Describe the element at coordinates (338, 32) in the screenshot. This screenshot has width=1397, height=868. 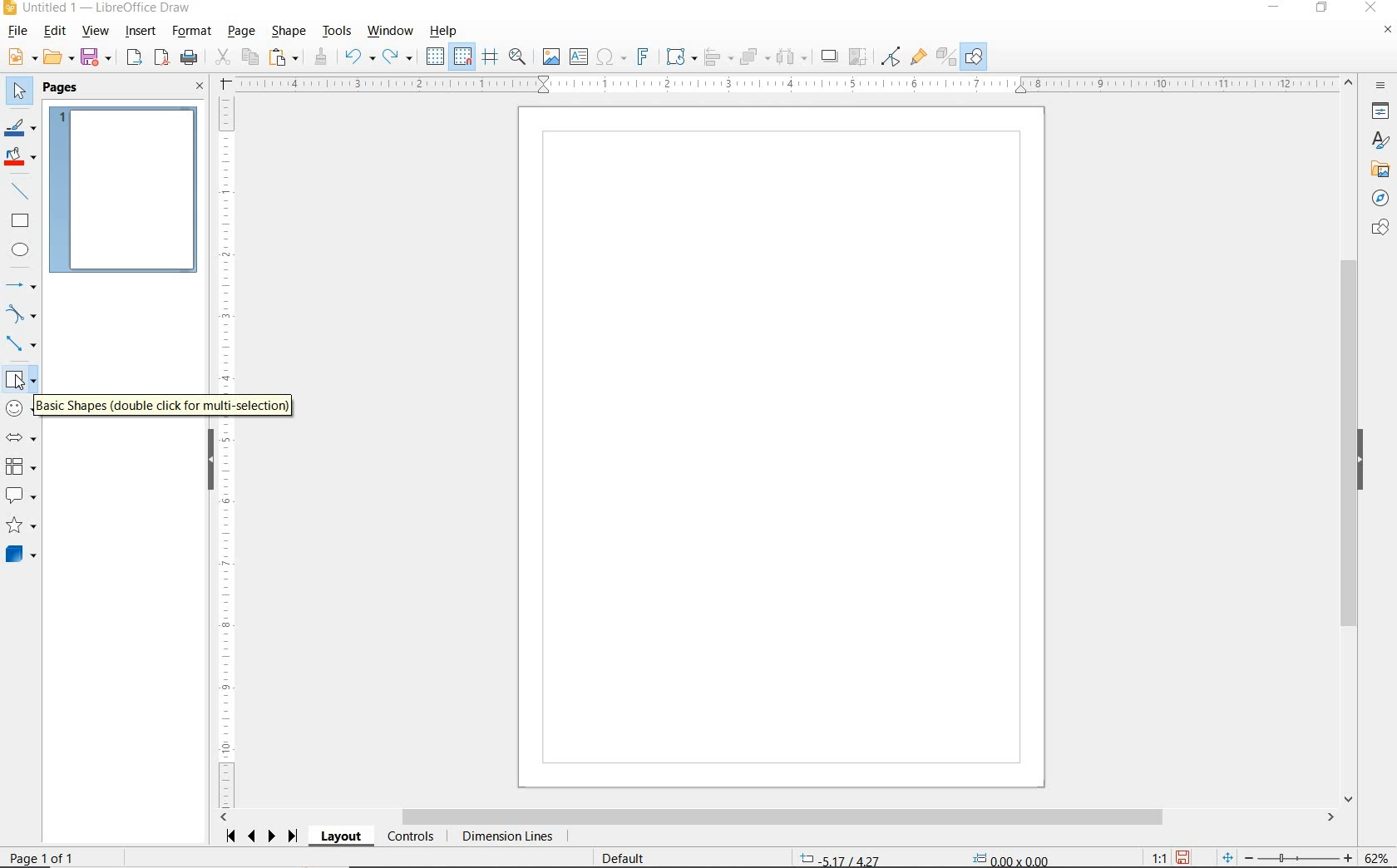
I see `TOOLS` at that location.